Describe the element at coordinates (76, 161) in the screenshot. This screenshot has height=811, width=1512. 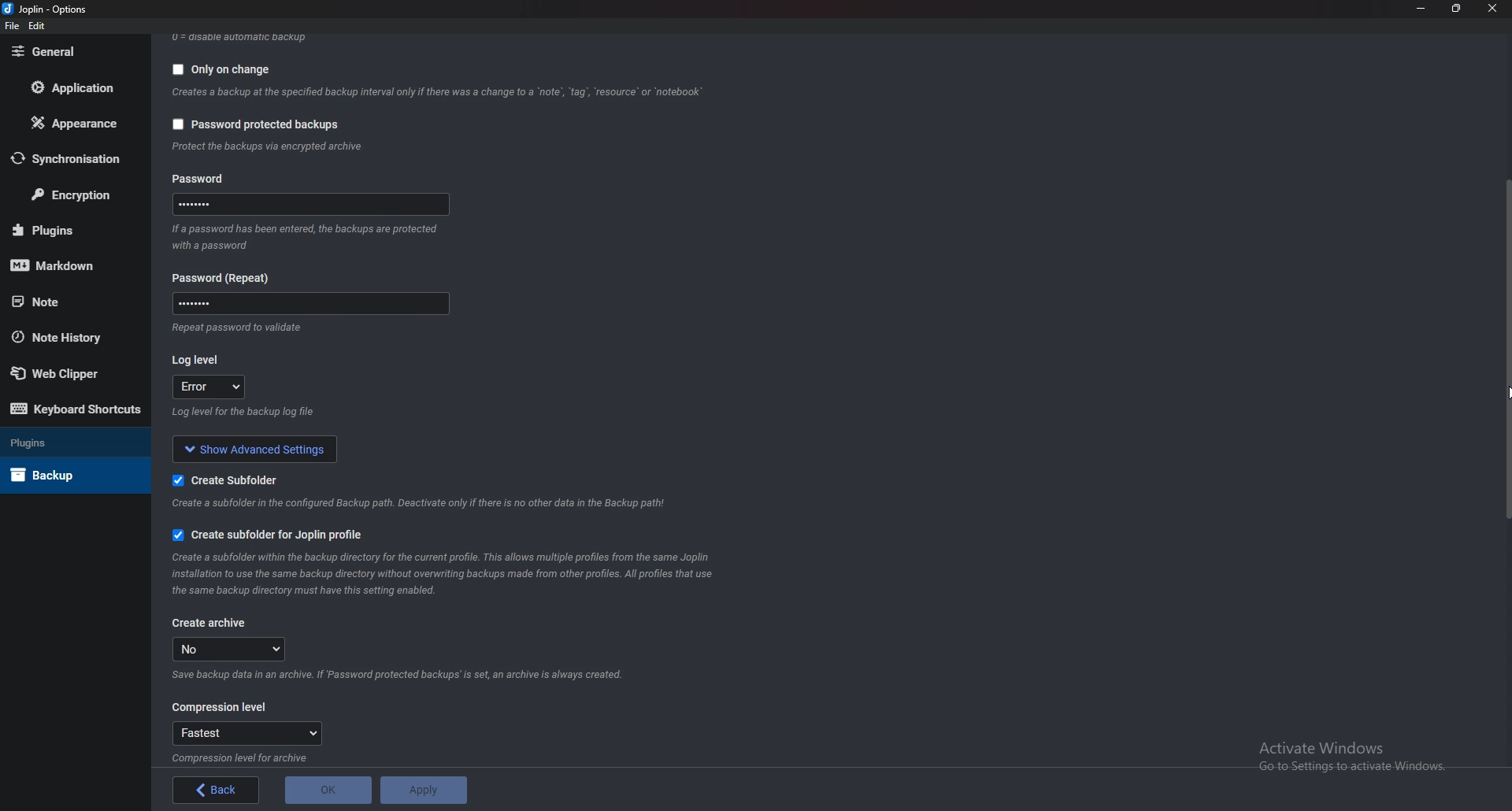
I see `Synchronization` at that location.